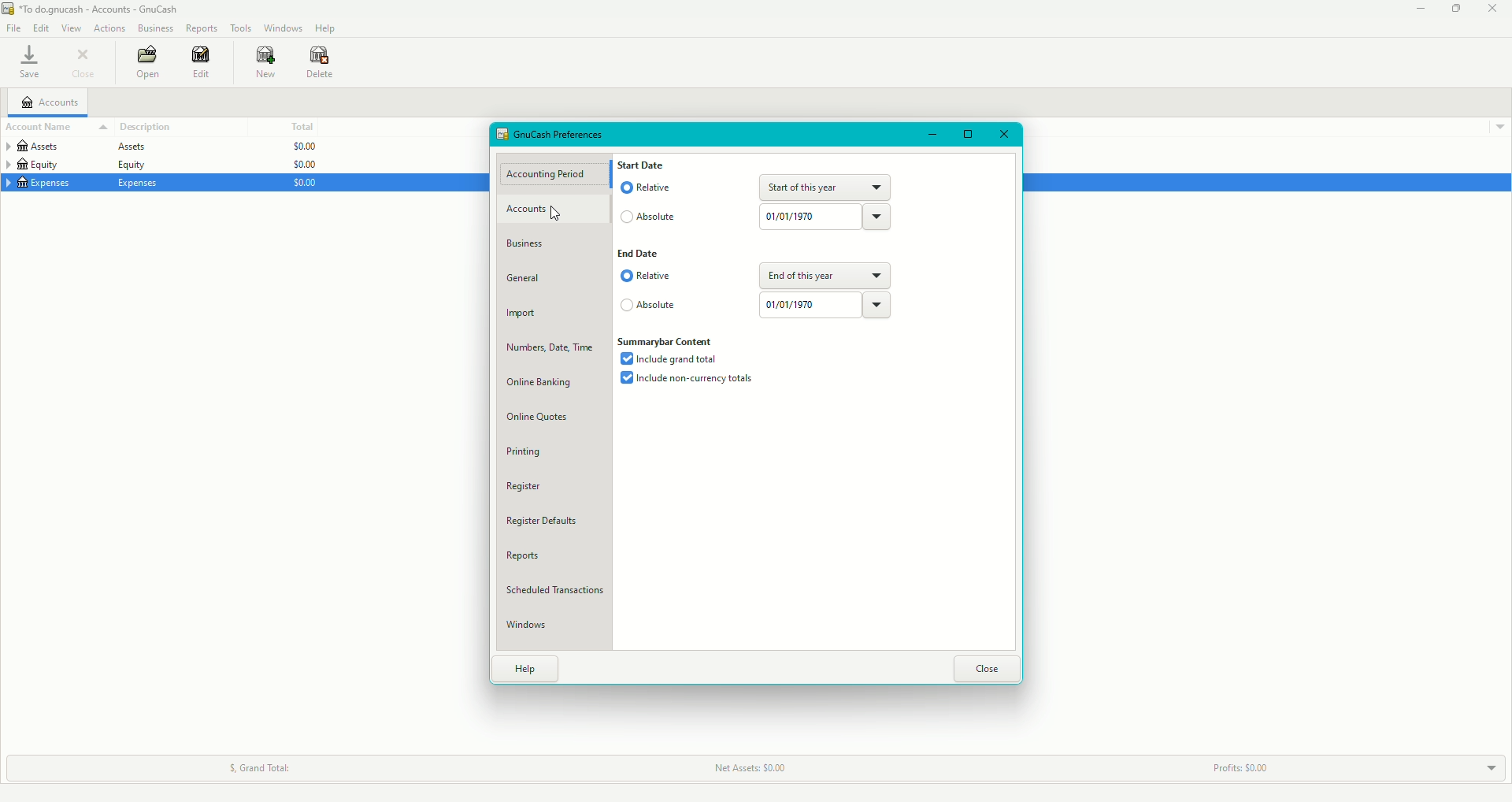  I want to click on Close, so click(1493, 9).